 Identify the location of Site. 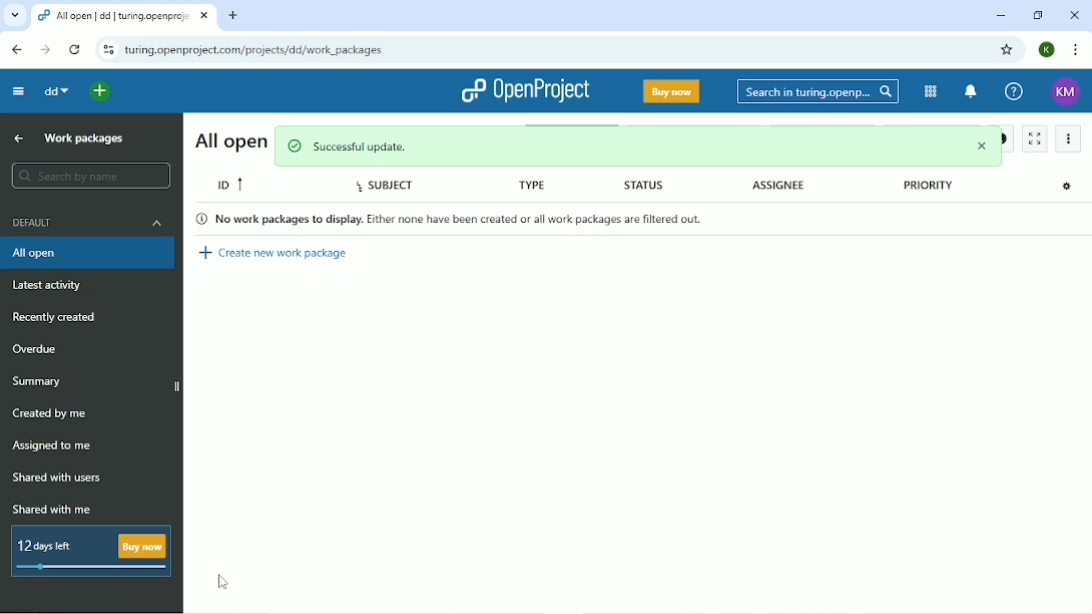
(255, 50).